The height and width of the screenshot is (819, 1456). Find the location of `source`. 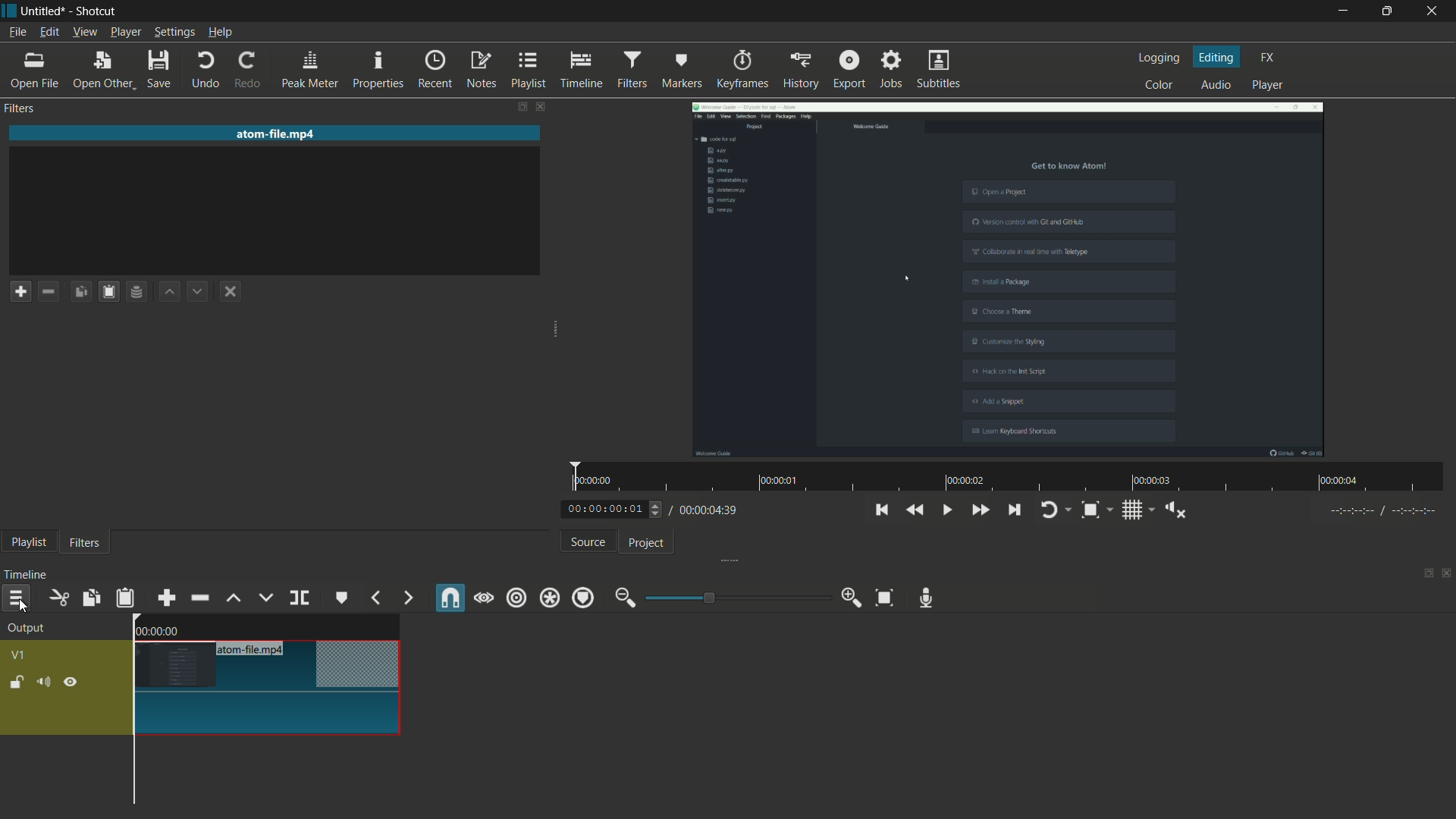

source is located at coordinates (589, 541).